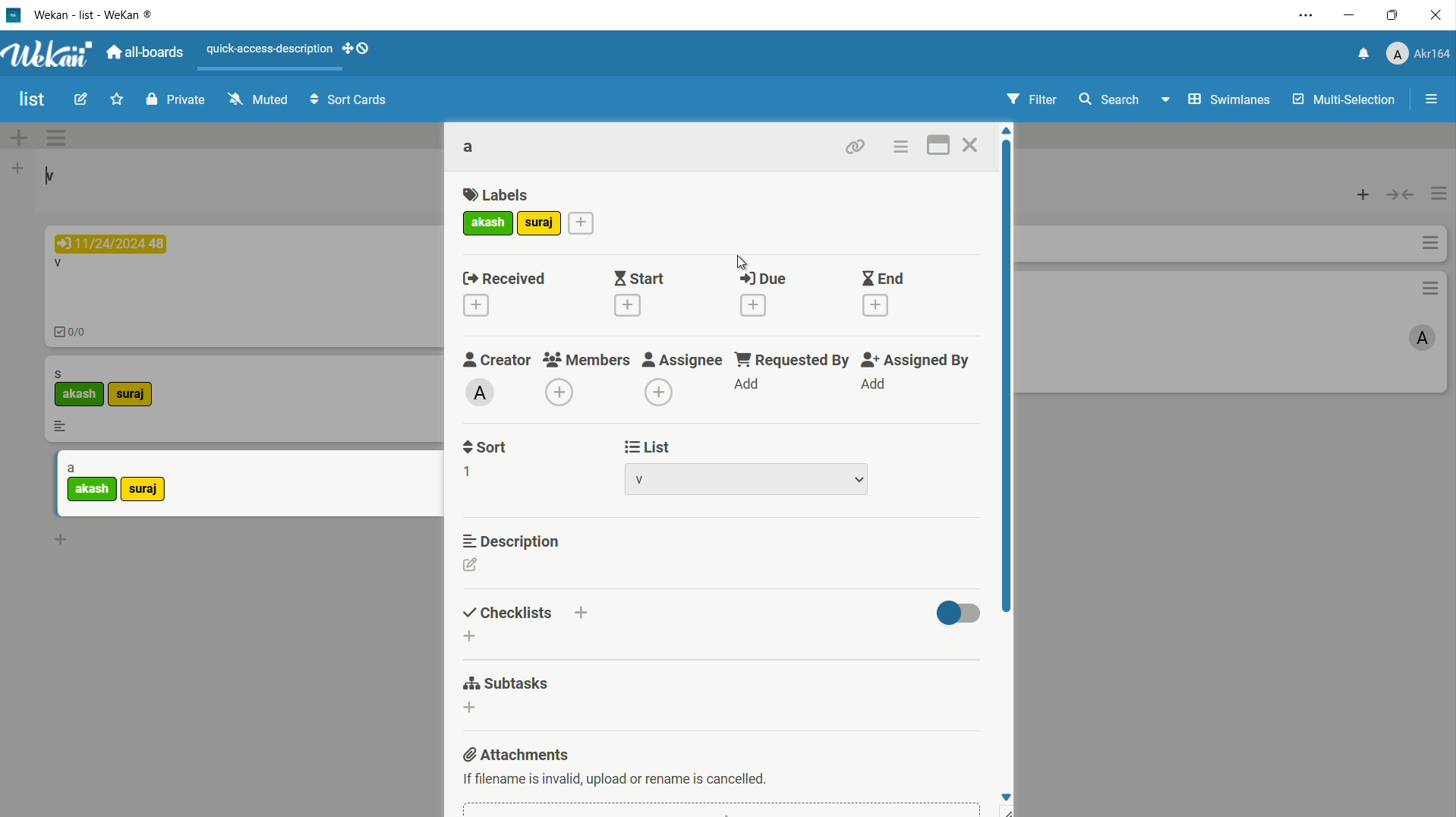  What do you see at coordinates (519, 752) in the screenshot?
I see `attachments` at bounding box center [519, 752].